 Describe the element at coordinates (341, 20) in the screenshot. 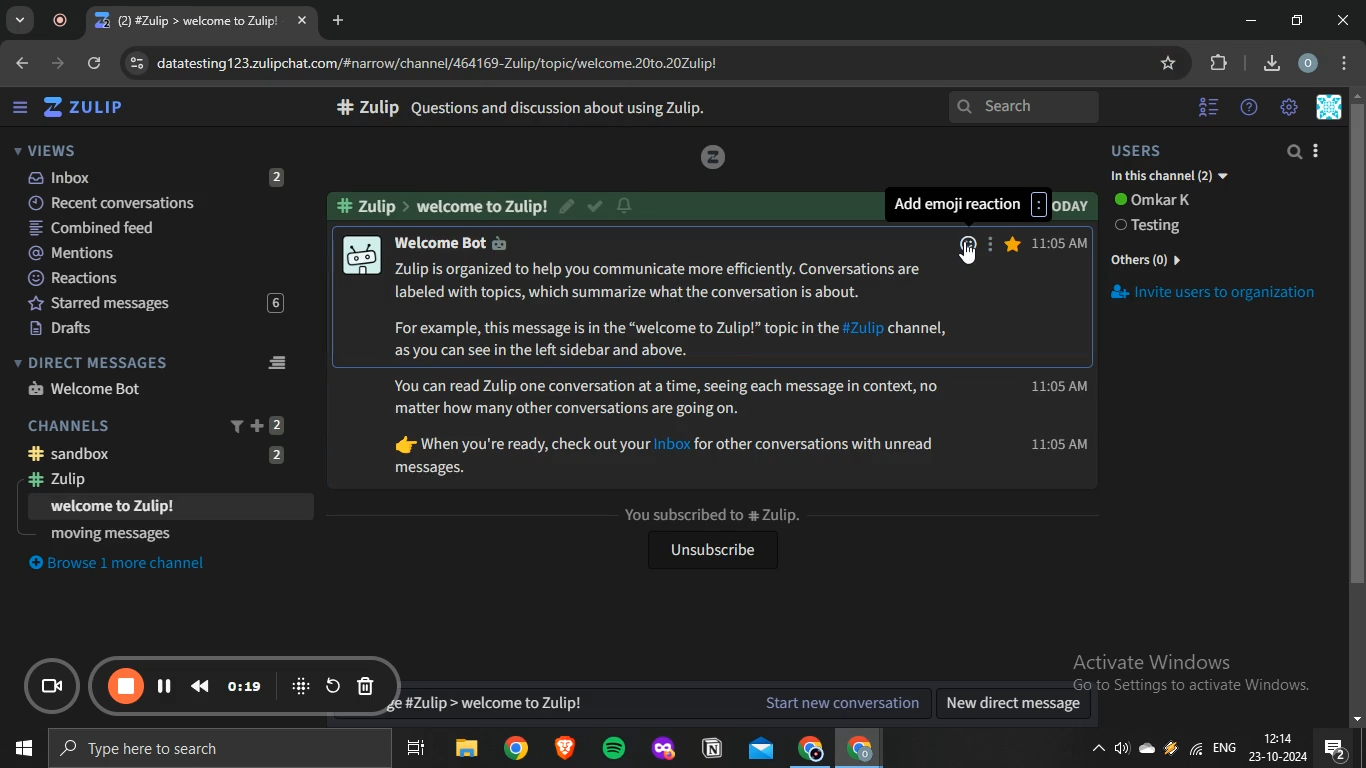

I see `new tab` at that location.